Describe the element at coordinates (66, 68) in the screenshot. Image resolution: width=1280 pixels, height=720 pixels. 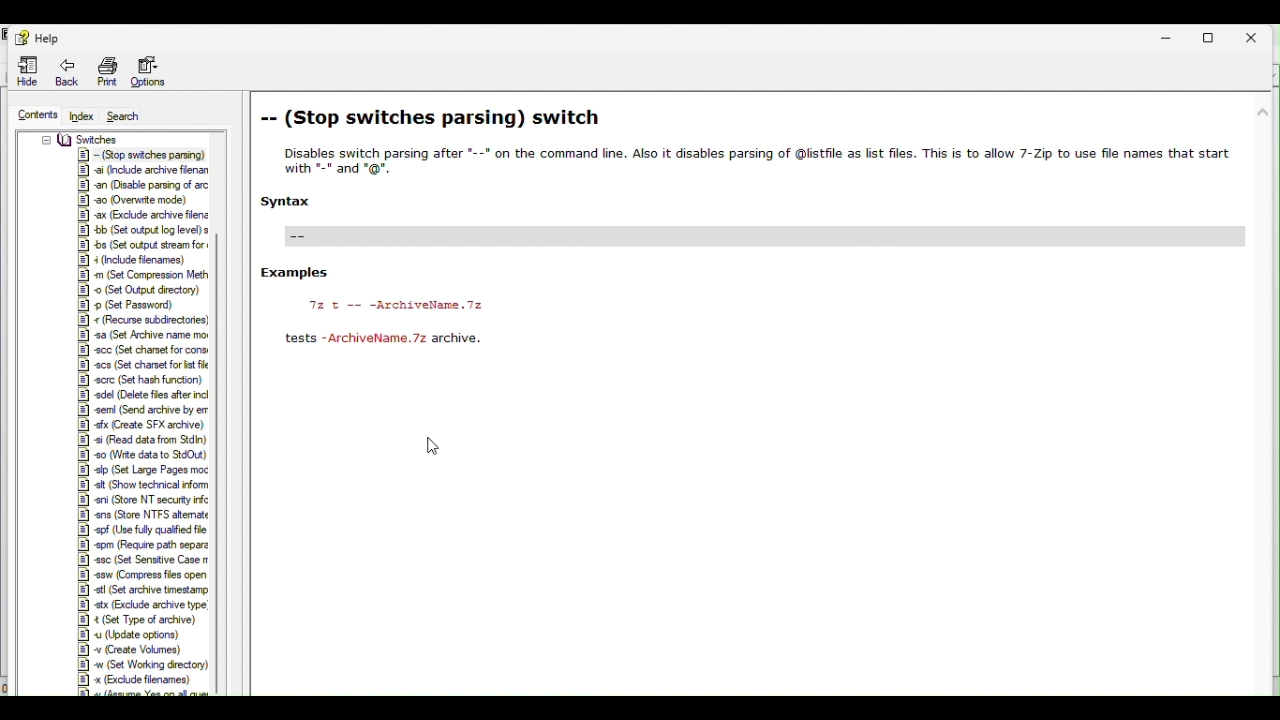
I see `Back` at that location.